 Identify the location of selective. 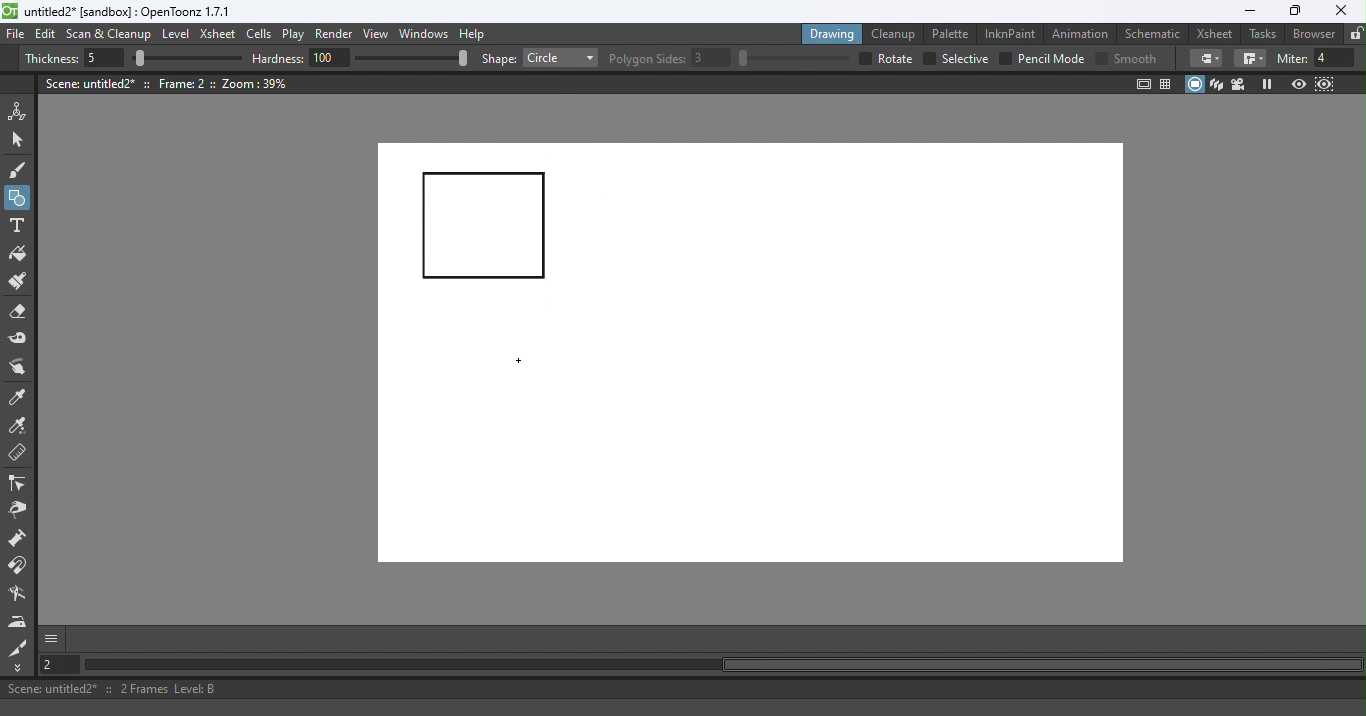
(965, 59).